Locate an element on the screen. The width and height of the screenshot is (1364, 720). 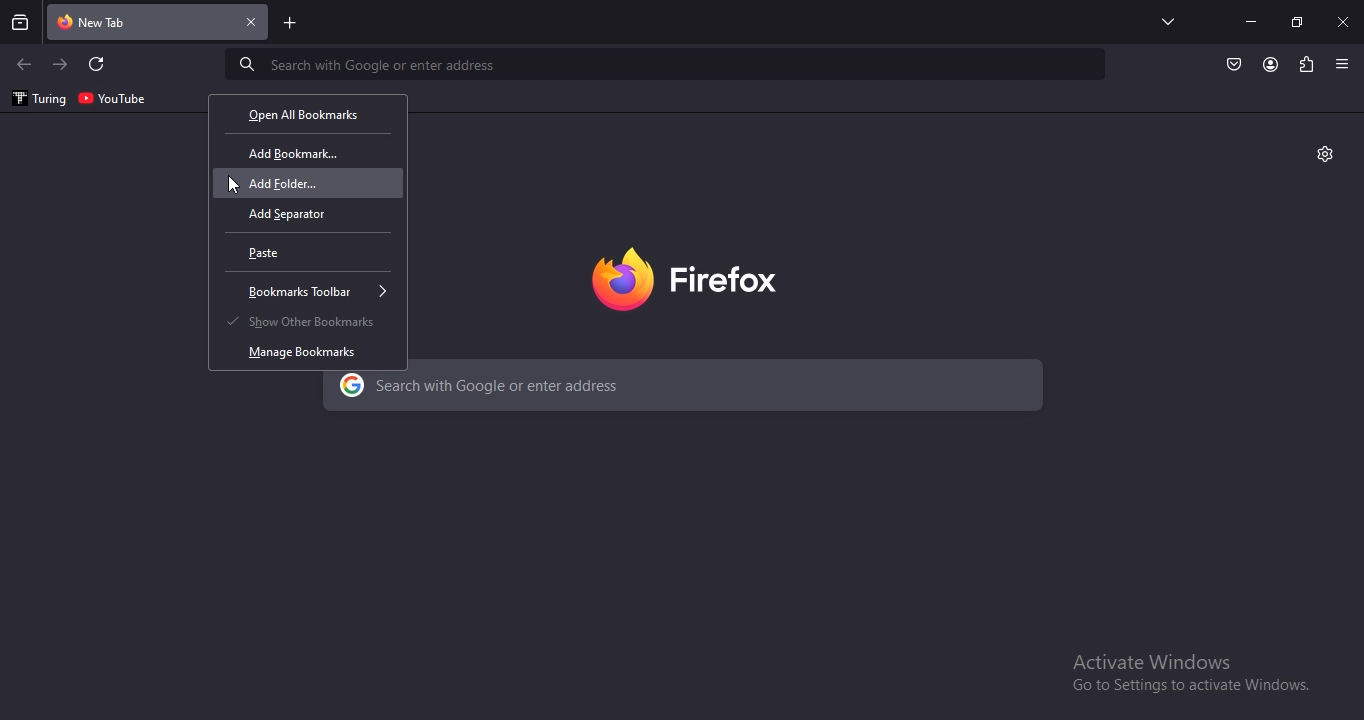
settings is located at coordinates (1325, 152).